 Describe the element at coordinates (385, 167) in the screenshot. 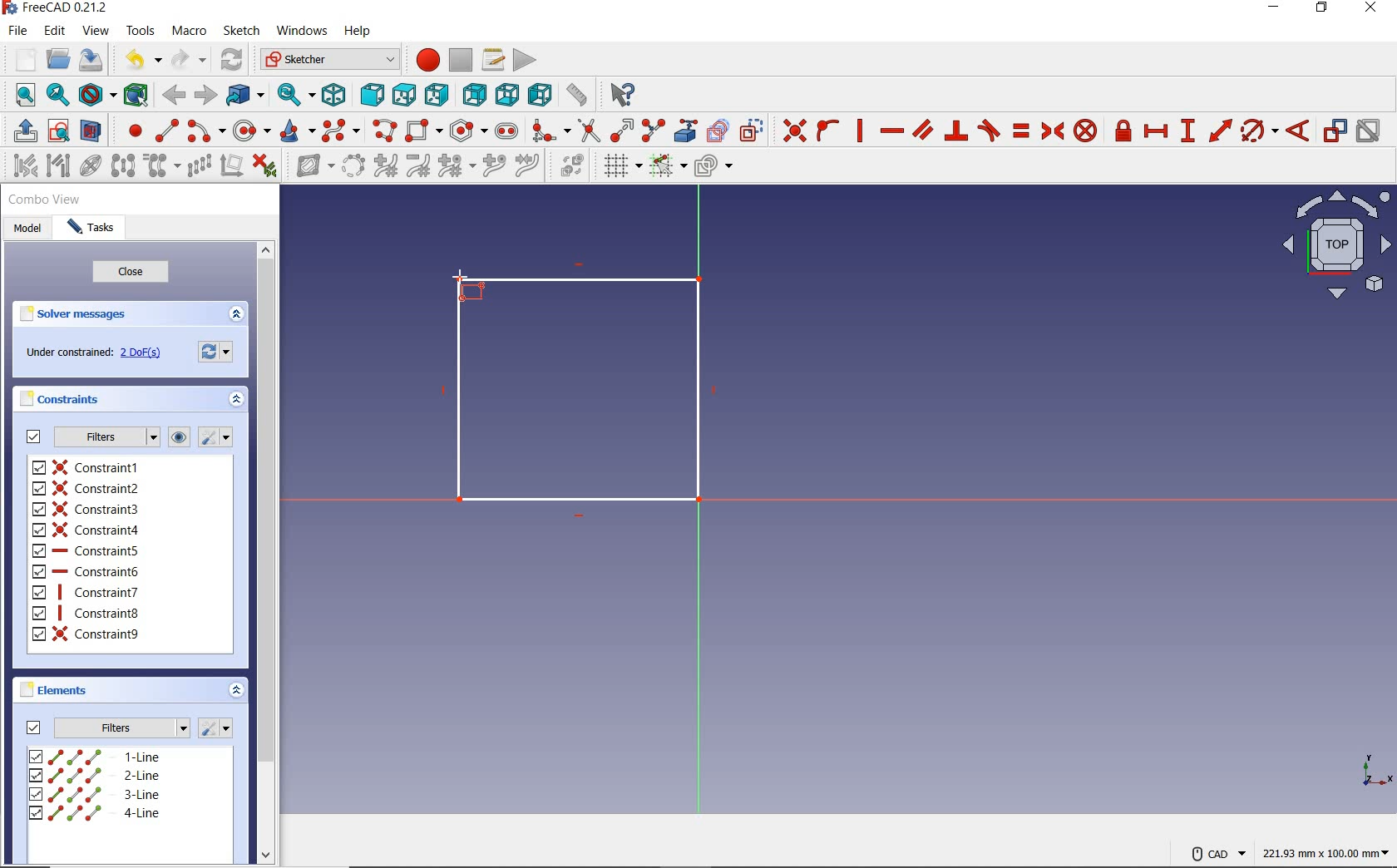

I see `increase B-Spline degree` at that location.